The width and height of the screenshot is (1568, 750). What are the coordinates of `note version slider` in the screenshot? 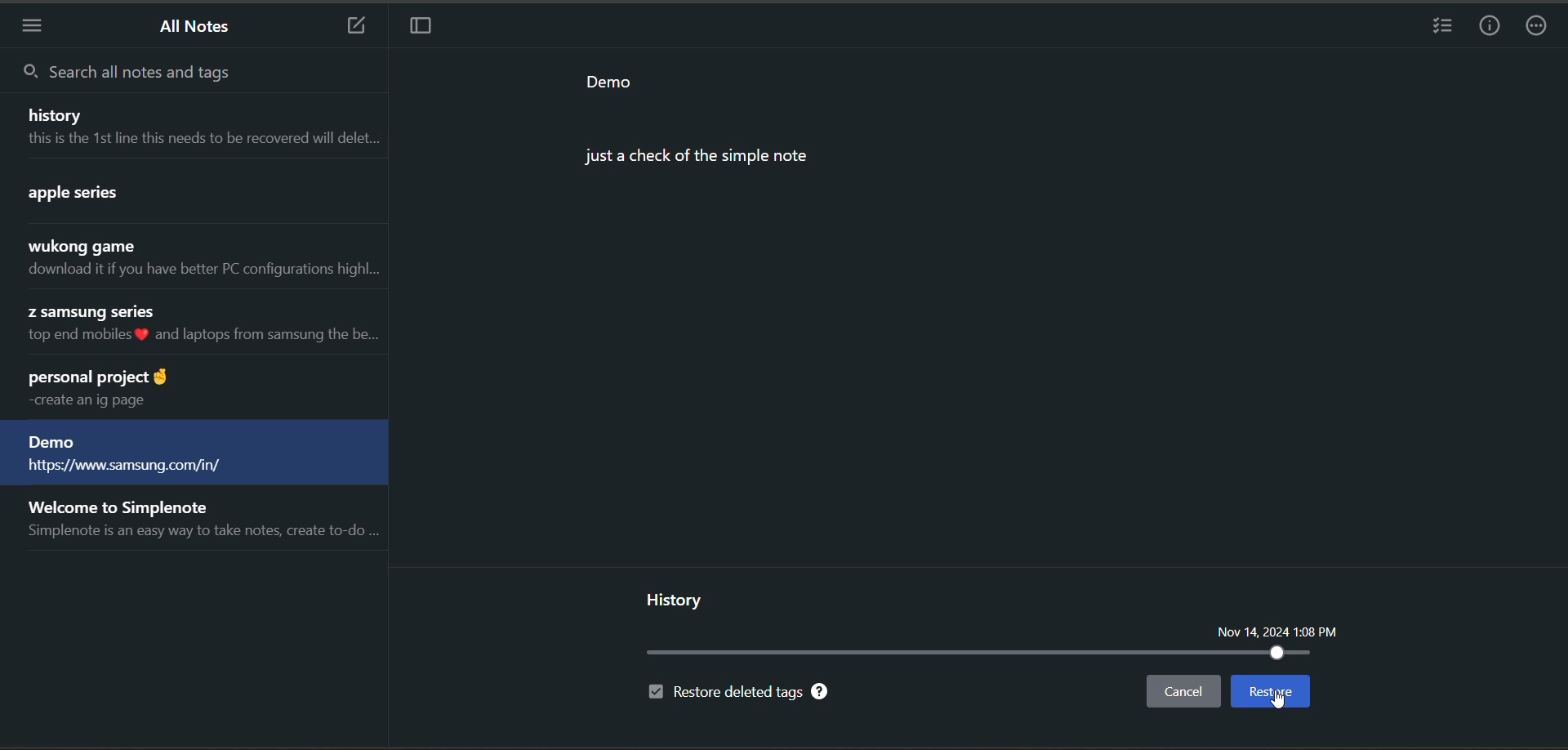 It's located at (980, 654).